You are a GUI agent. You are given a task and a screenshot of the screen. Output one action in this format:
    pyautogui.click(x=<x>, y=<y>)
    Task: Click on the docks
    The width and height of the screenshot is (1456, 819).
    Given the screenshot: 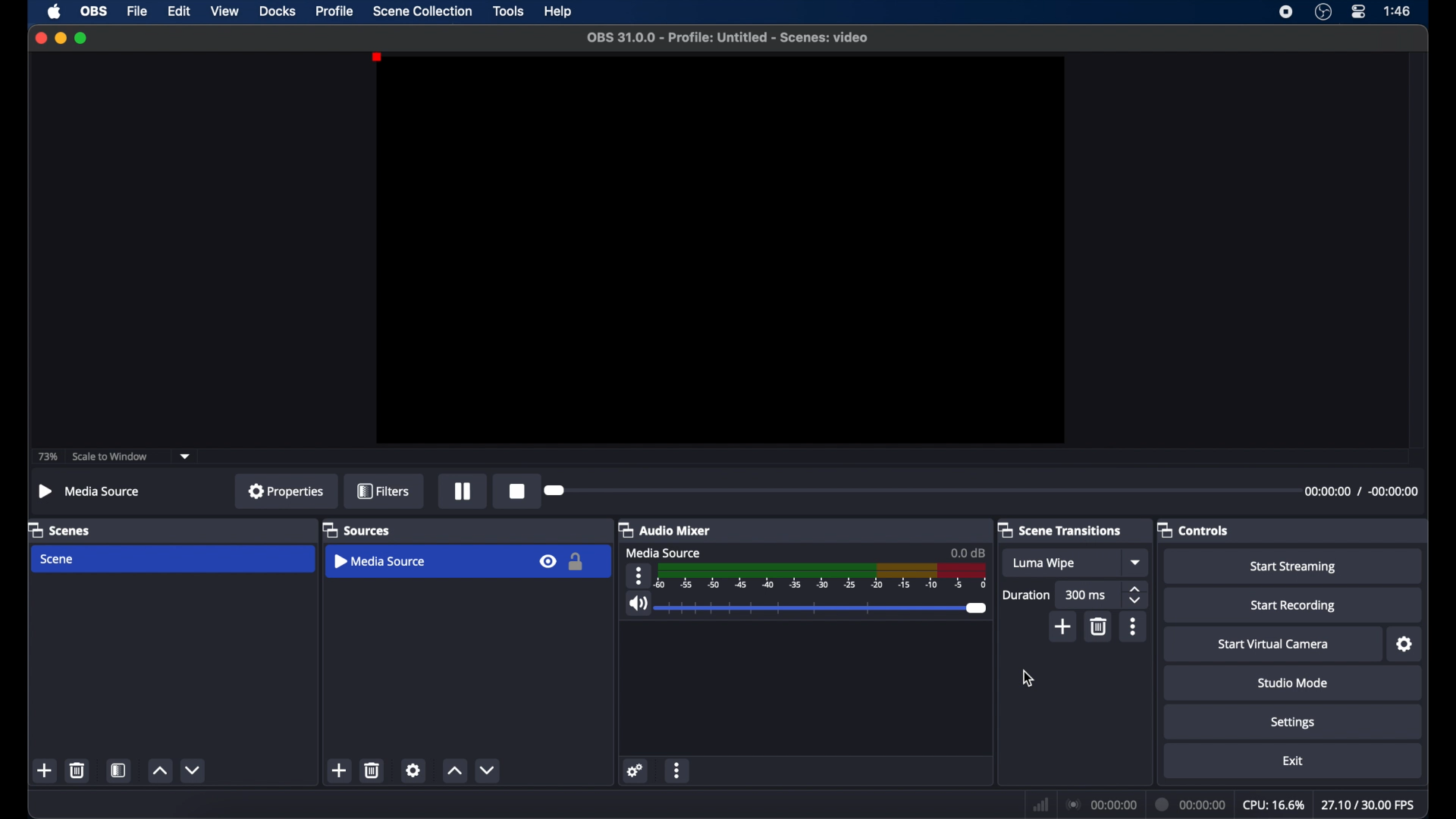 What is the action you would take?
    pyautogui.click(x=279, y=11)
    